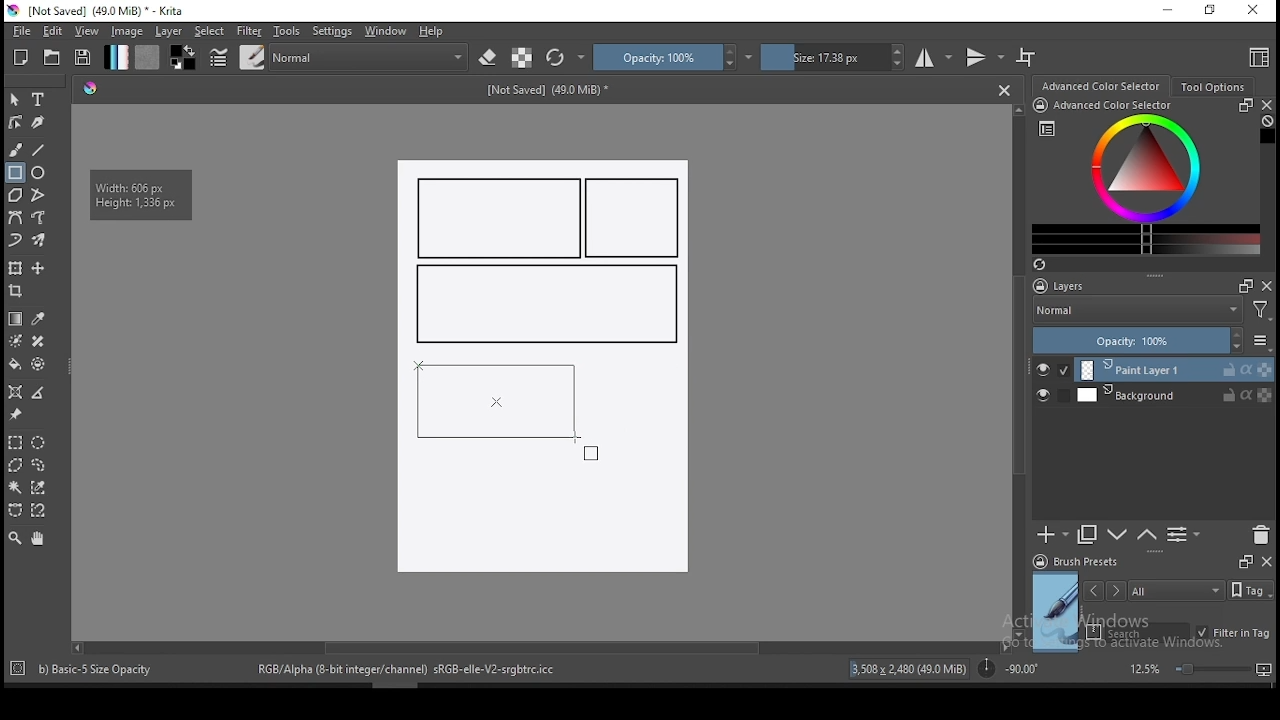 The image size is (1280, 720). Describe the element at coordinates (1240, 285) in the screenshot. I see `Frames` at that location.